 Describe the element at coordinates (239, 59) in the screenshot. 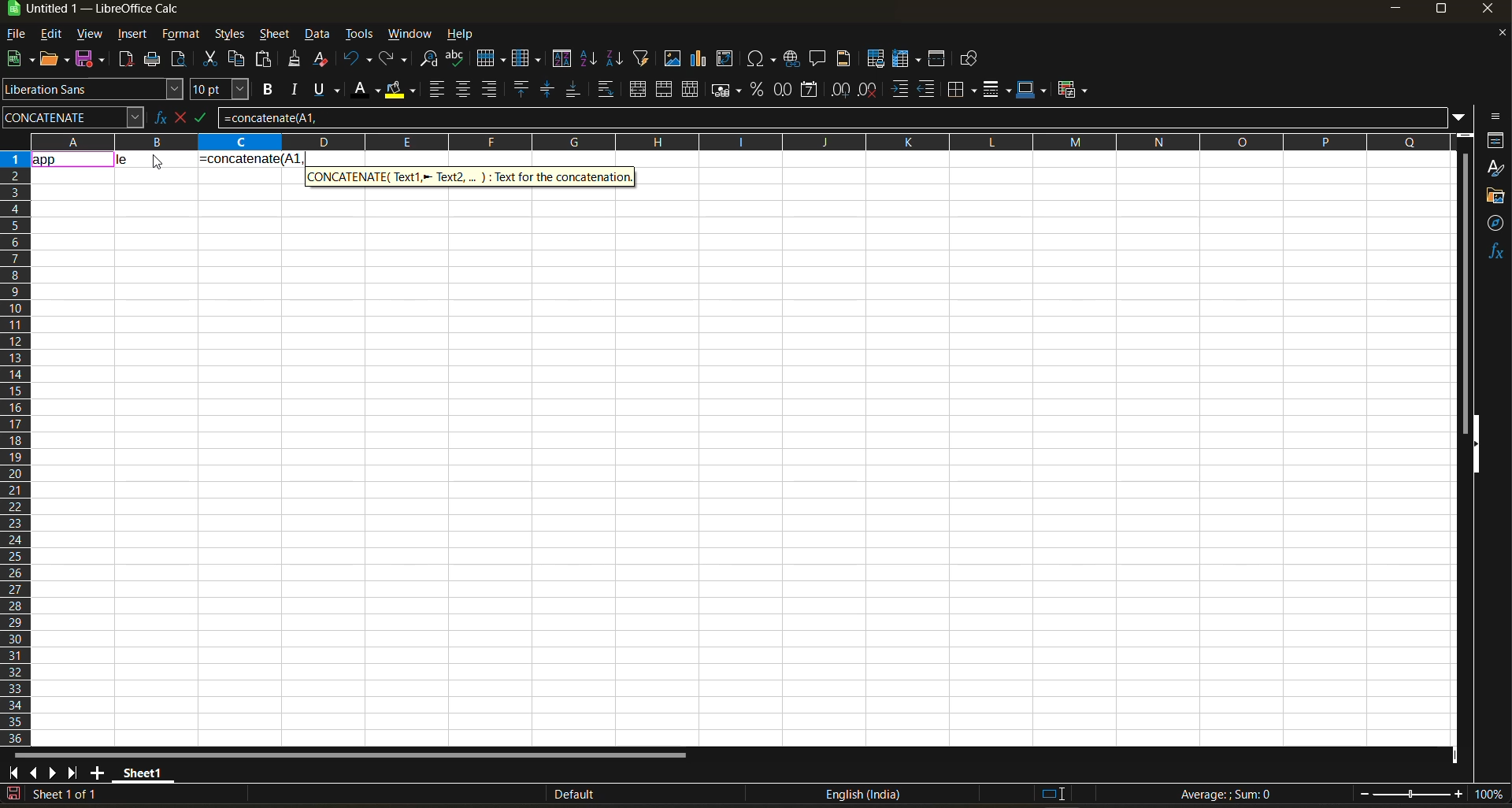

I see `copy` at that location.